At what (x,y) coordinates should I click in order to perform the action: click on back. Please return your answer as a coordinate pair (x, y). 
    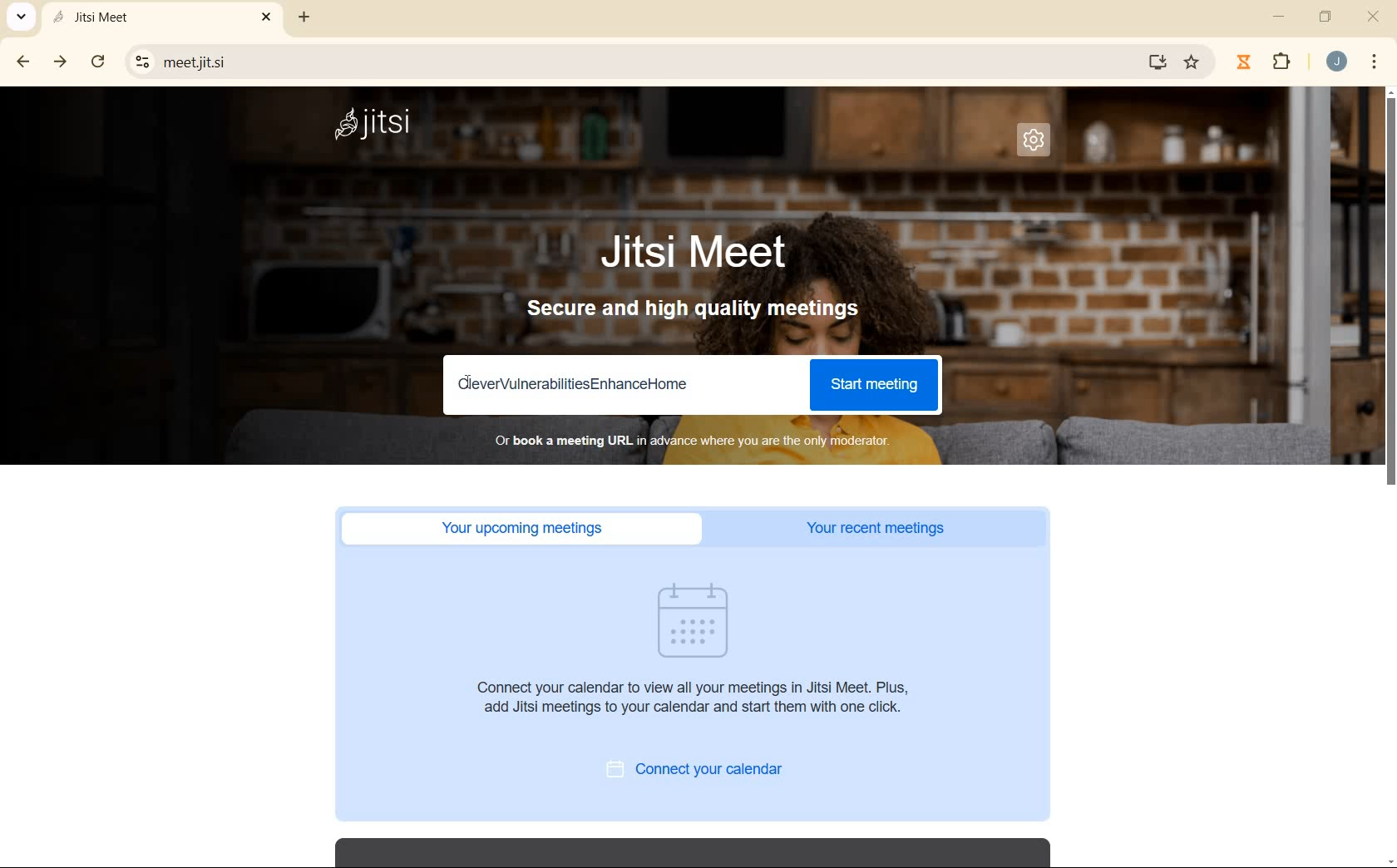
    Looking at the image, I should click on (19, 62).